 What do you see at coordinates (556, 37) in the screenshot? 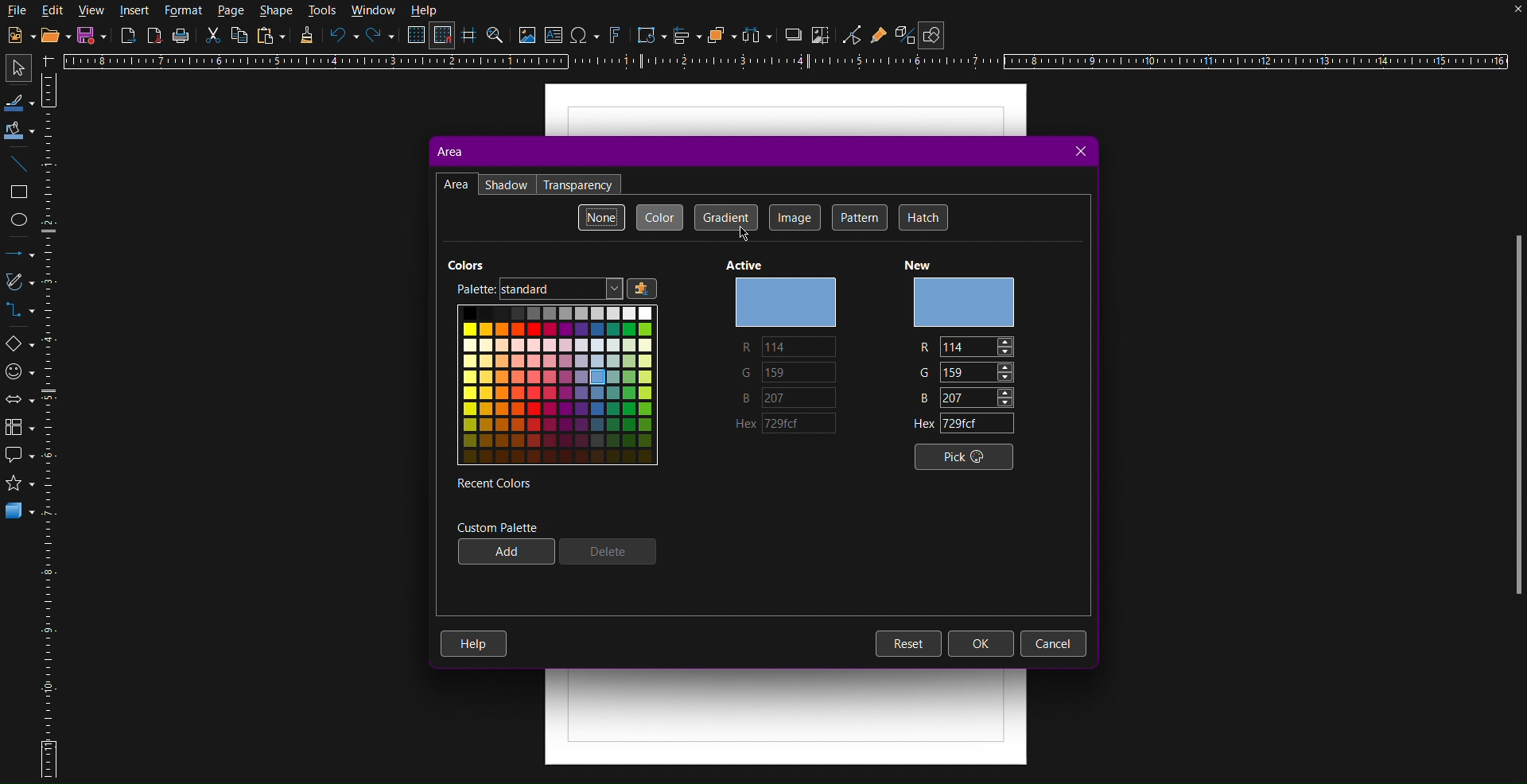
I see `Insert Textbox` at bounding box center [556, 37].